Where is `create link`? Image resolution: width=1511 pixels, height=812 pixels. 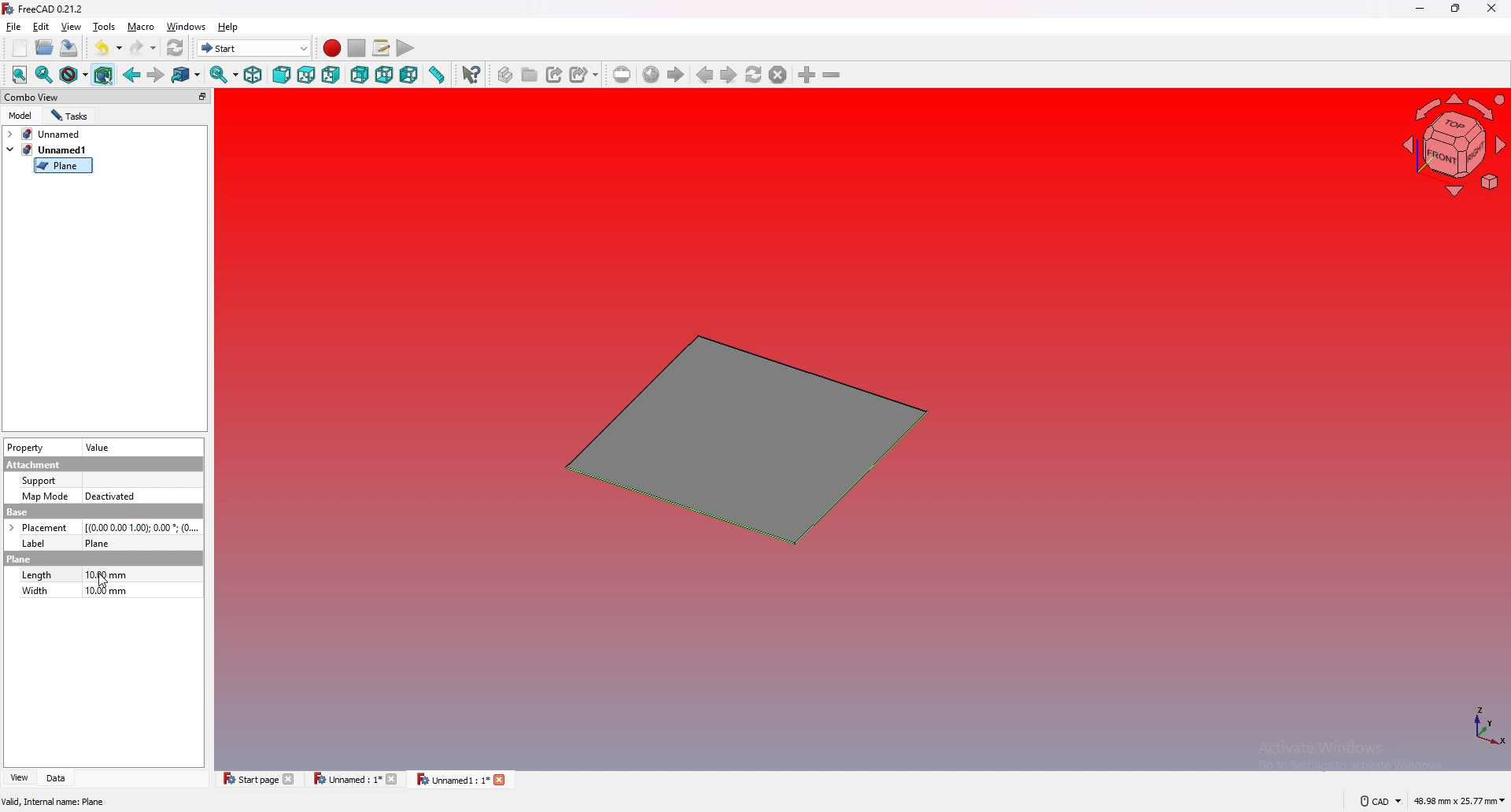
create link is located at coordinates (556, 75).